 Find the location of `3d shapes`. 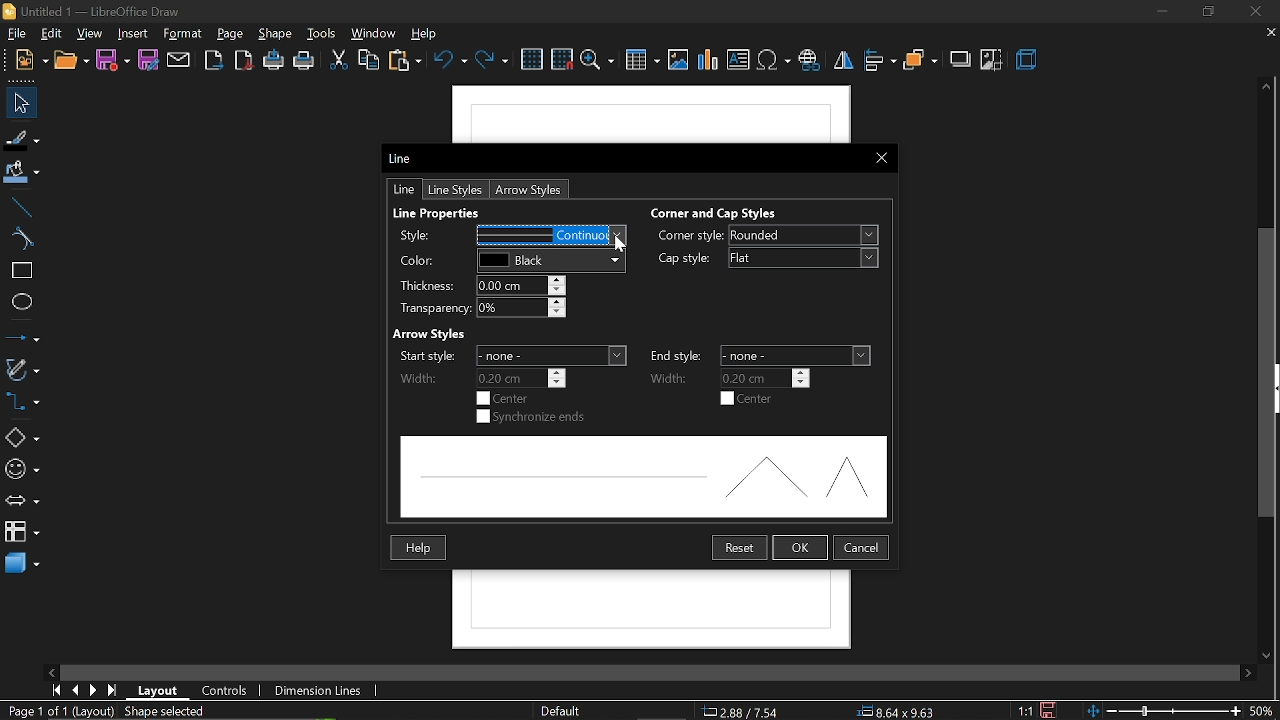

3d shapes is located at coordinates (21, 563).